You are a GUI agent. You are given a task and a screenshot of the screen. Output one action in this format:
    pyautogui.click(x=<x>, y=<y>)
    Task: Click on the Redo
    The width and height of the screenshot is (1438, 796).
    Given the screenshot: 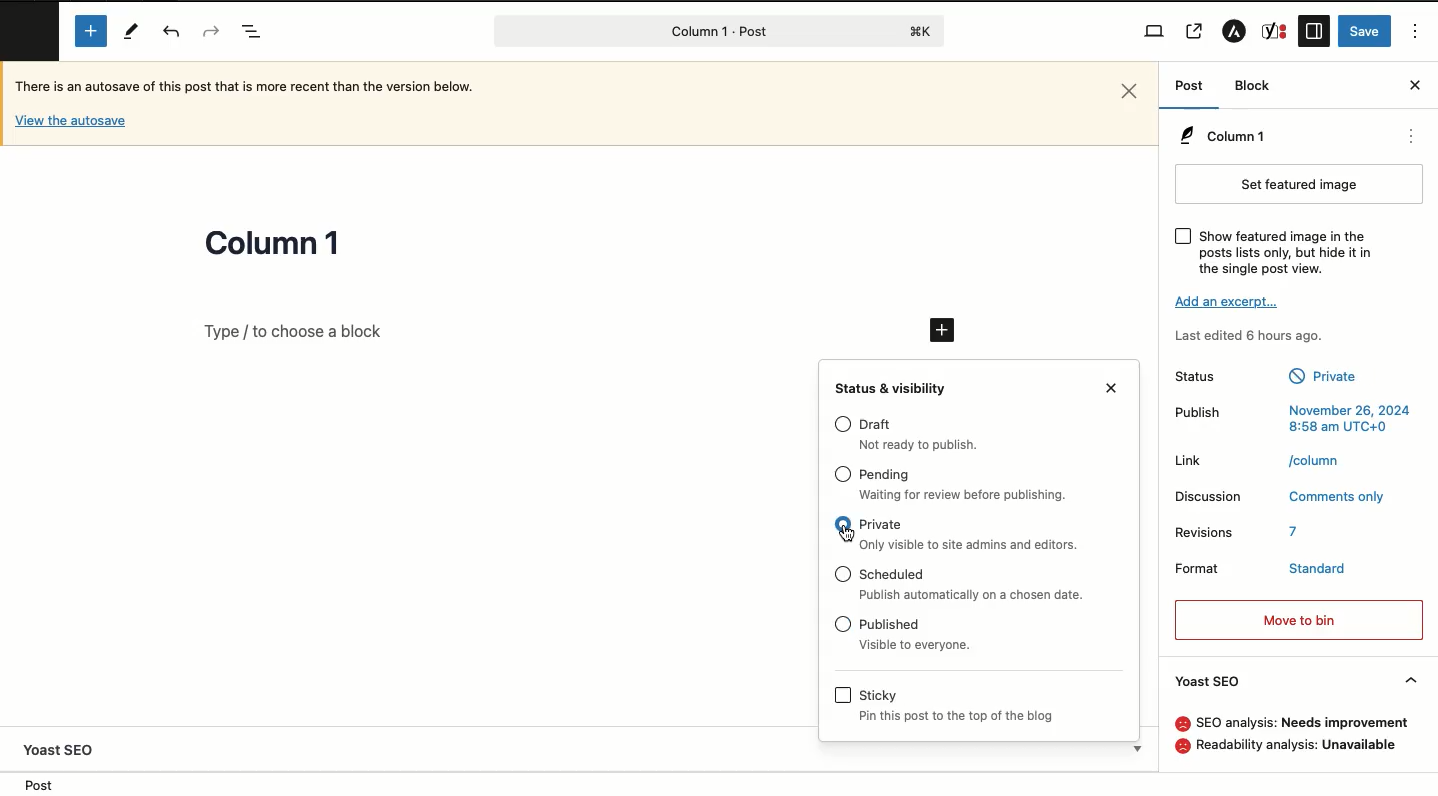 What is the action you would take?
    pyautogui.click(x=208, y=30)
    